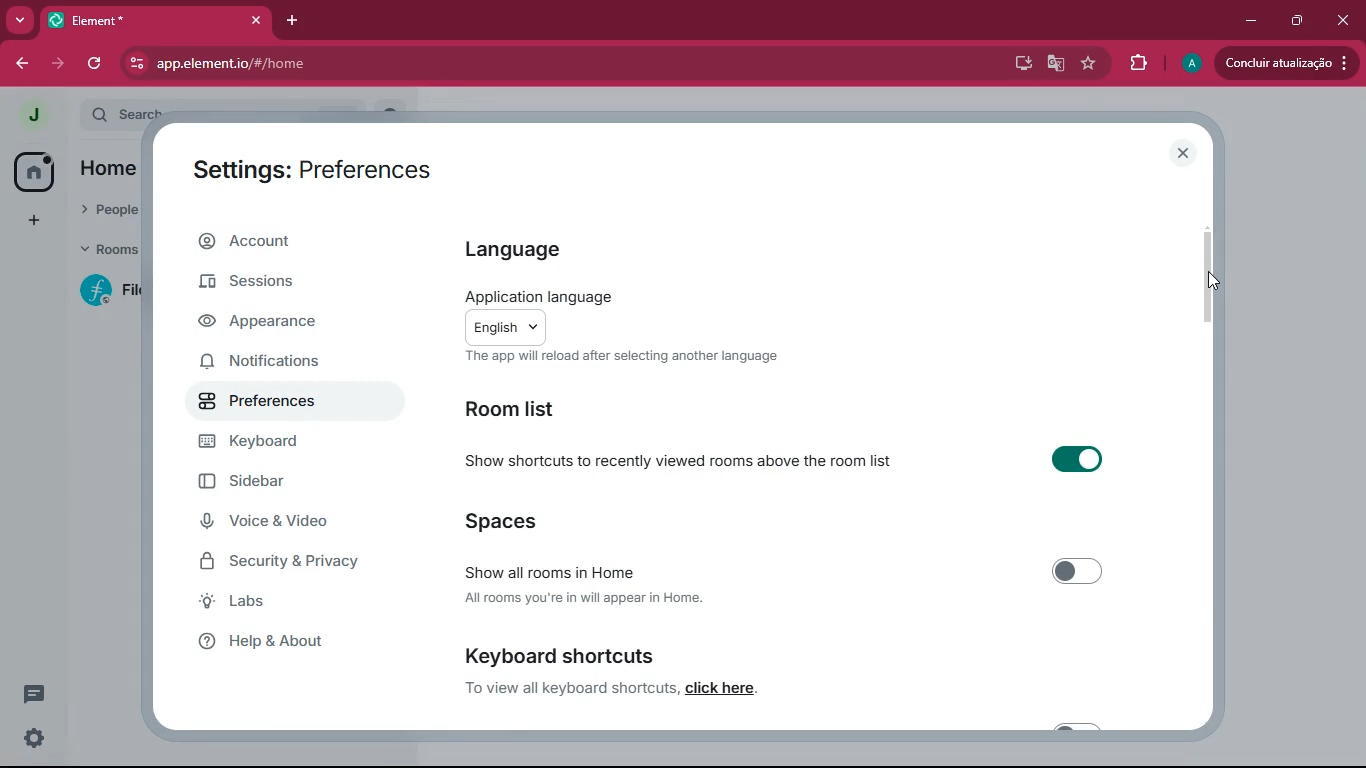 The height and width of the screenshot is (768, 1366). Describe the element at coordinates (33, 170) in the screenshot. I see `home` at that location.